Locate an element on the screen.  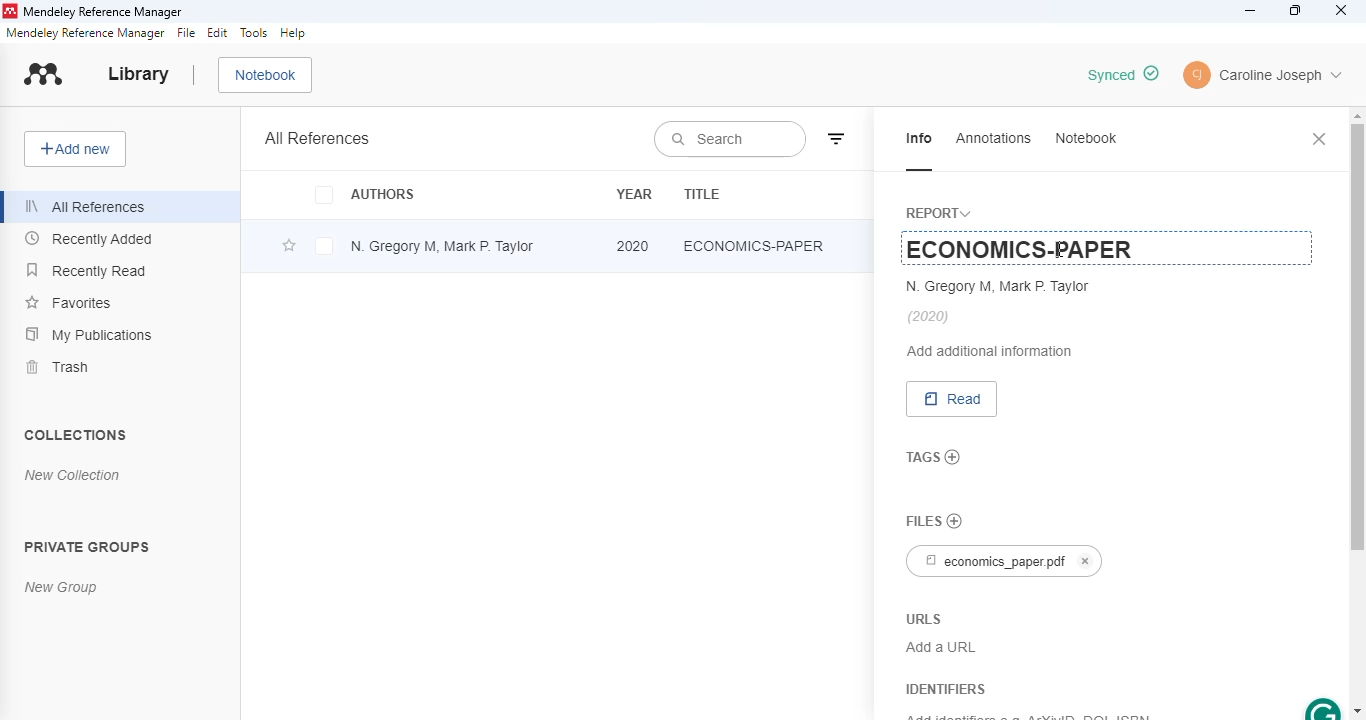
my publications is located at coordinates (91, 335).